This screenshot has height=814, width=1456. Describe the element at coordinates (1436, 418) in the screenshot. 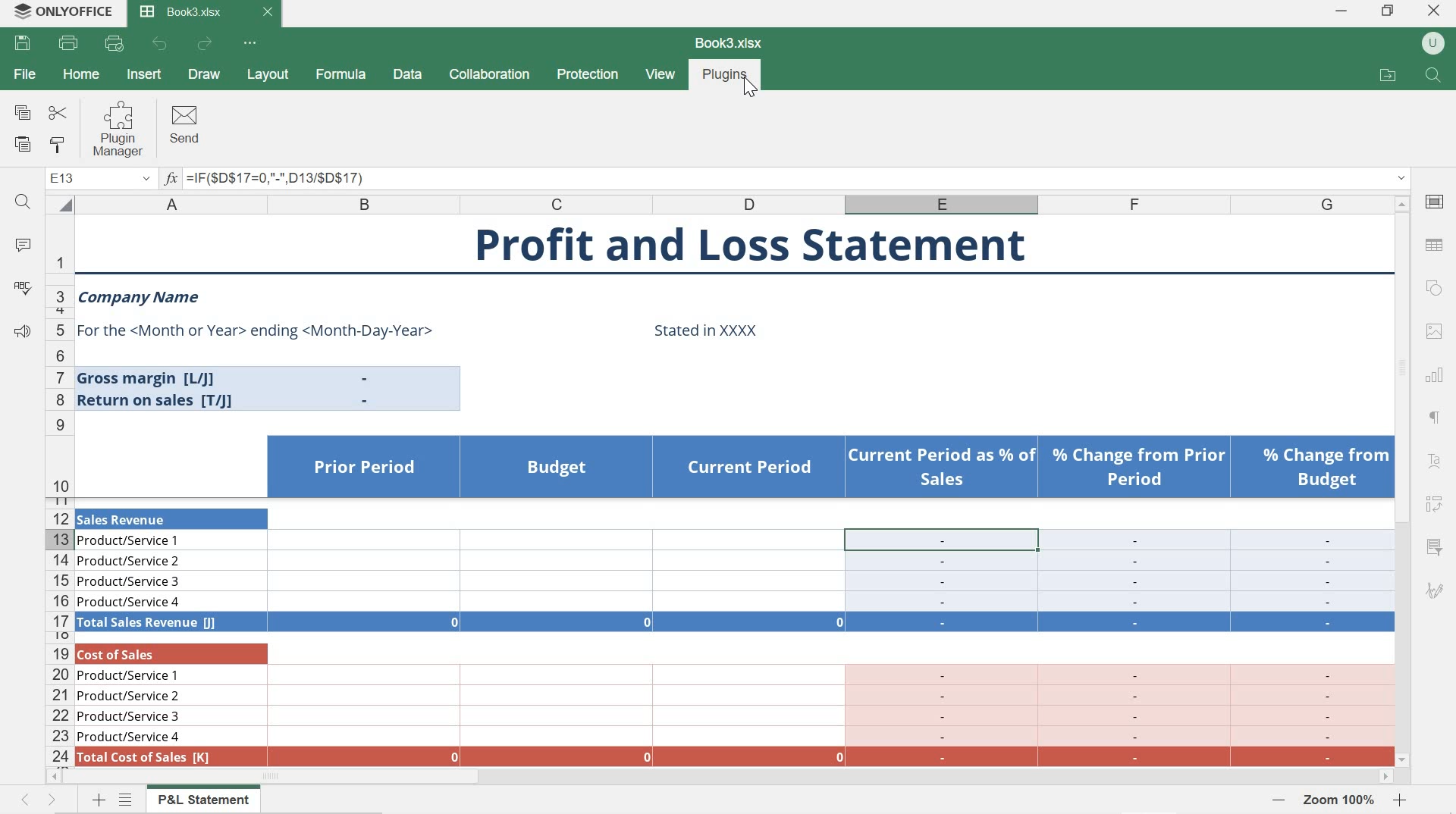

I see `pie chart` at that location.